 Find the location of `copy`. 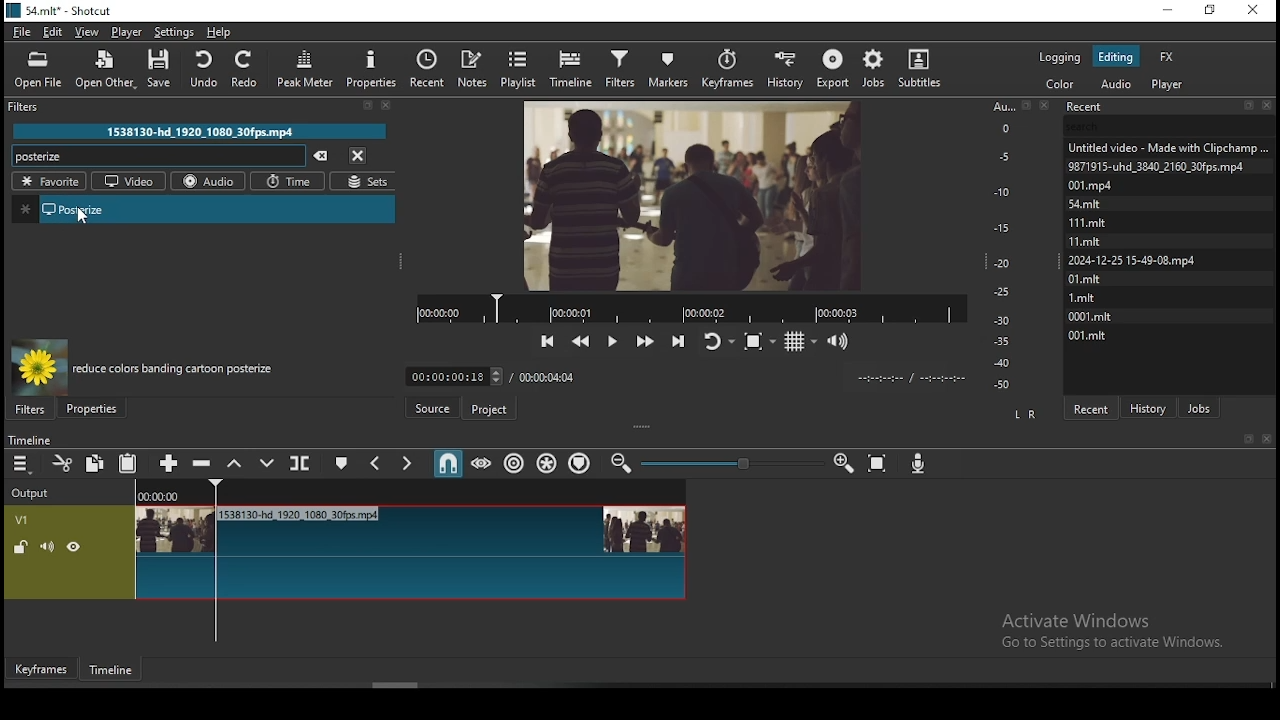

copy is located at coordinates (96, 464).